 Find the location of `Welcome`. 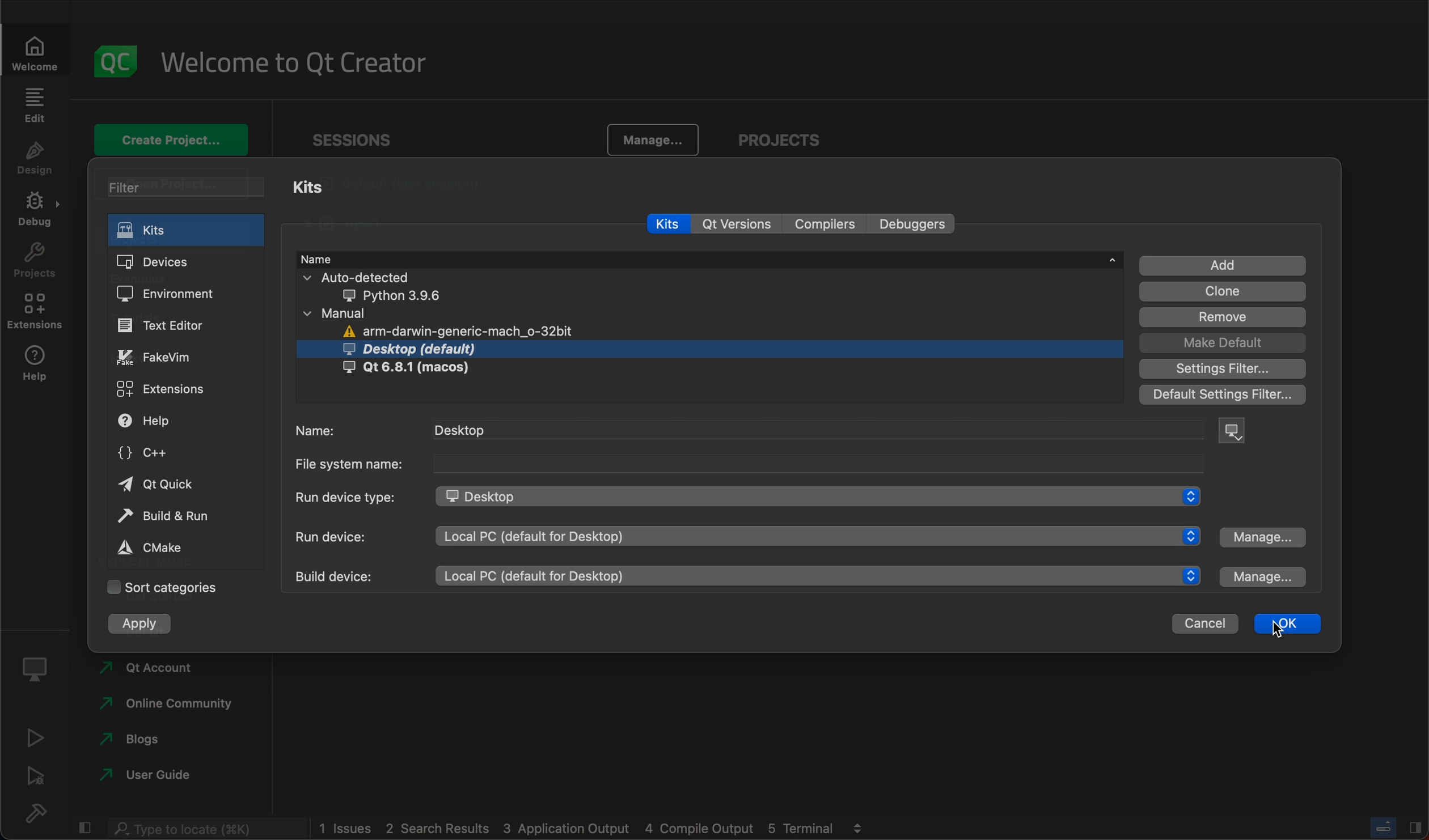

Welcome is located at coordinates (41, 52).